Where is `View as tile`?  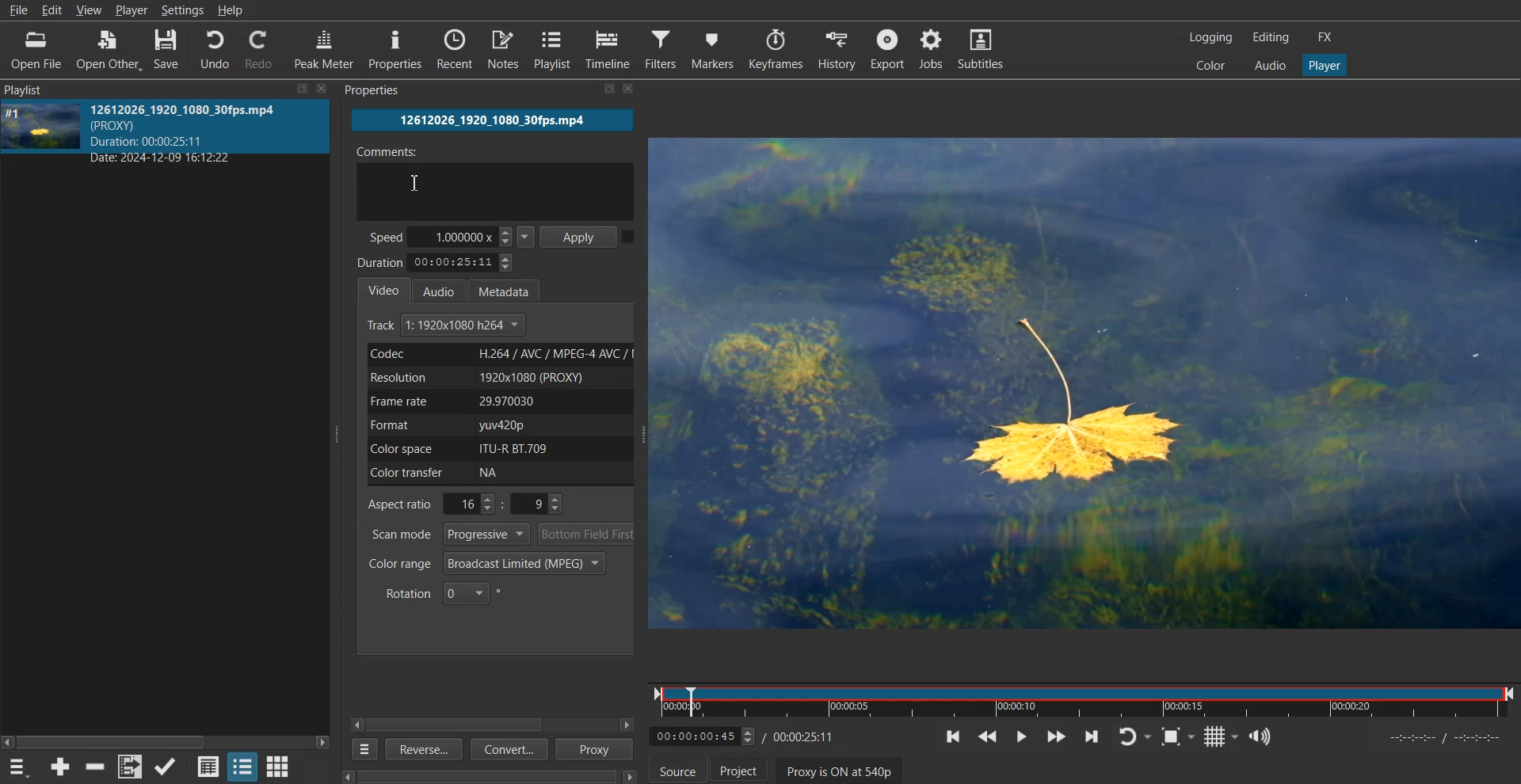
View as tile is located at coordinates (242, 766).